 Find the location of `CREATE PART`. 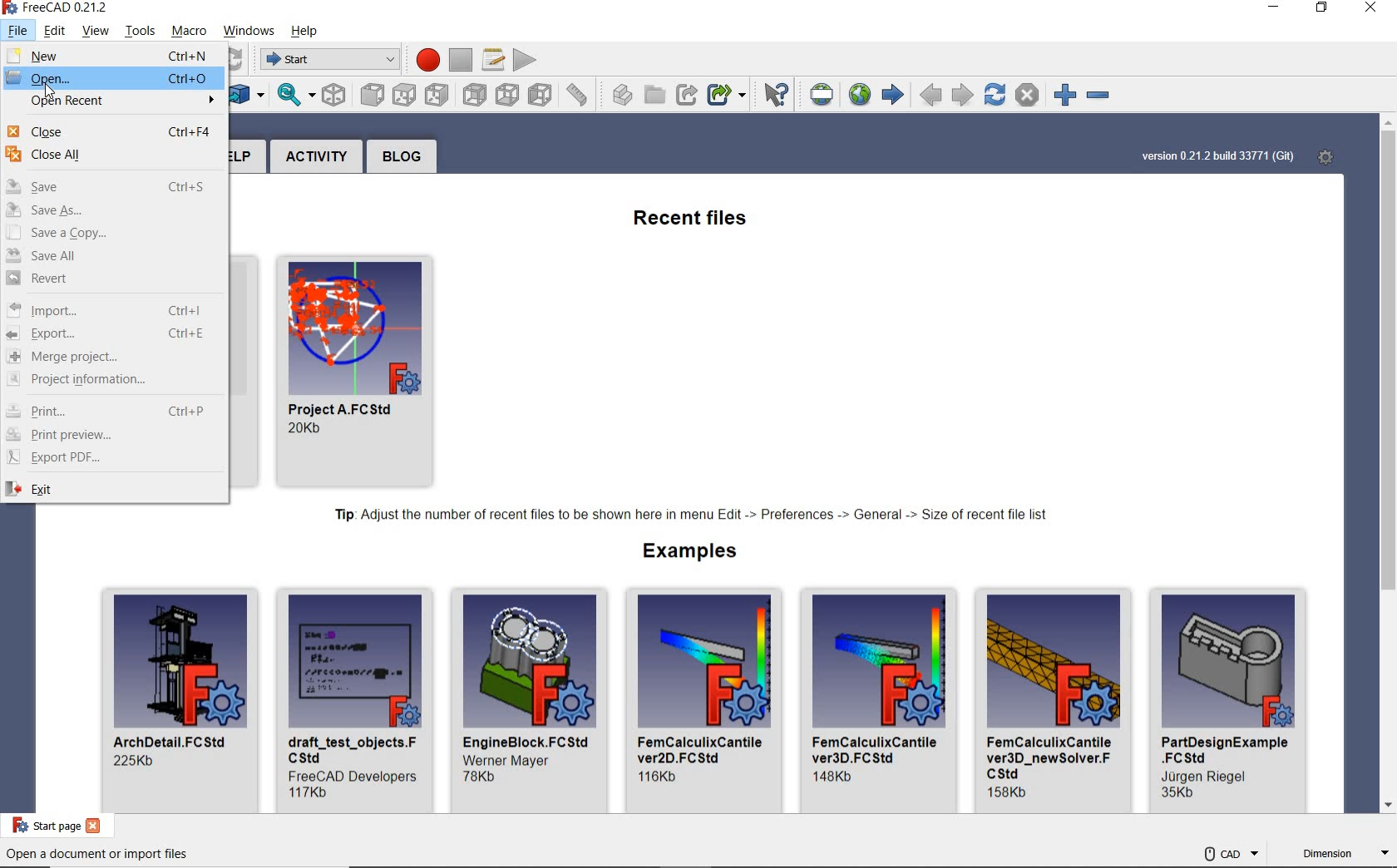

CREATE PART is located at coordinates (619, 94).